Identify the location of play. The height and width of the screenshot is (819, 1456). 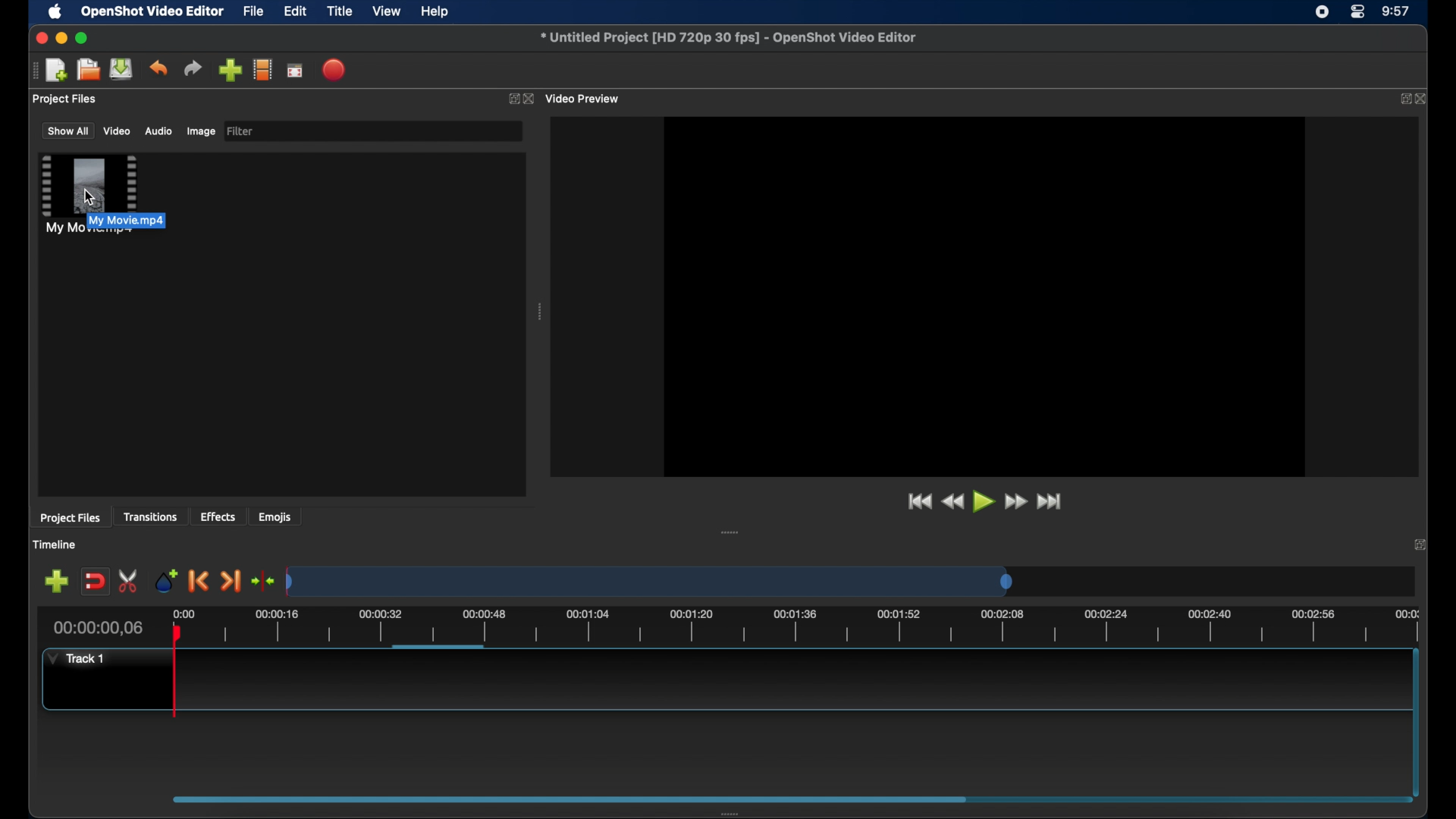
(984, 502).